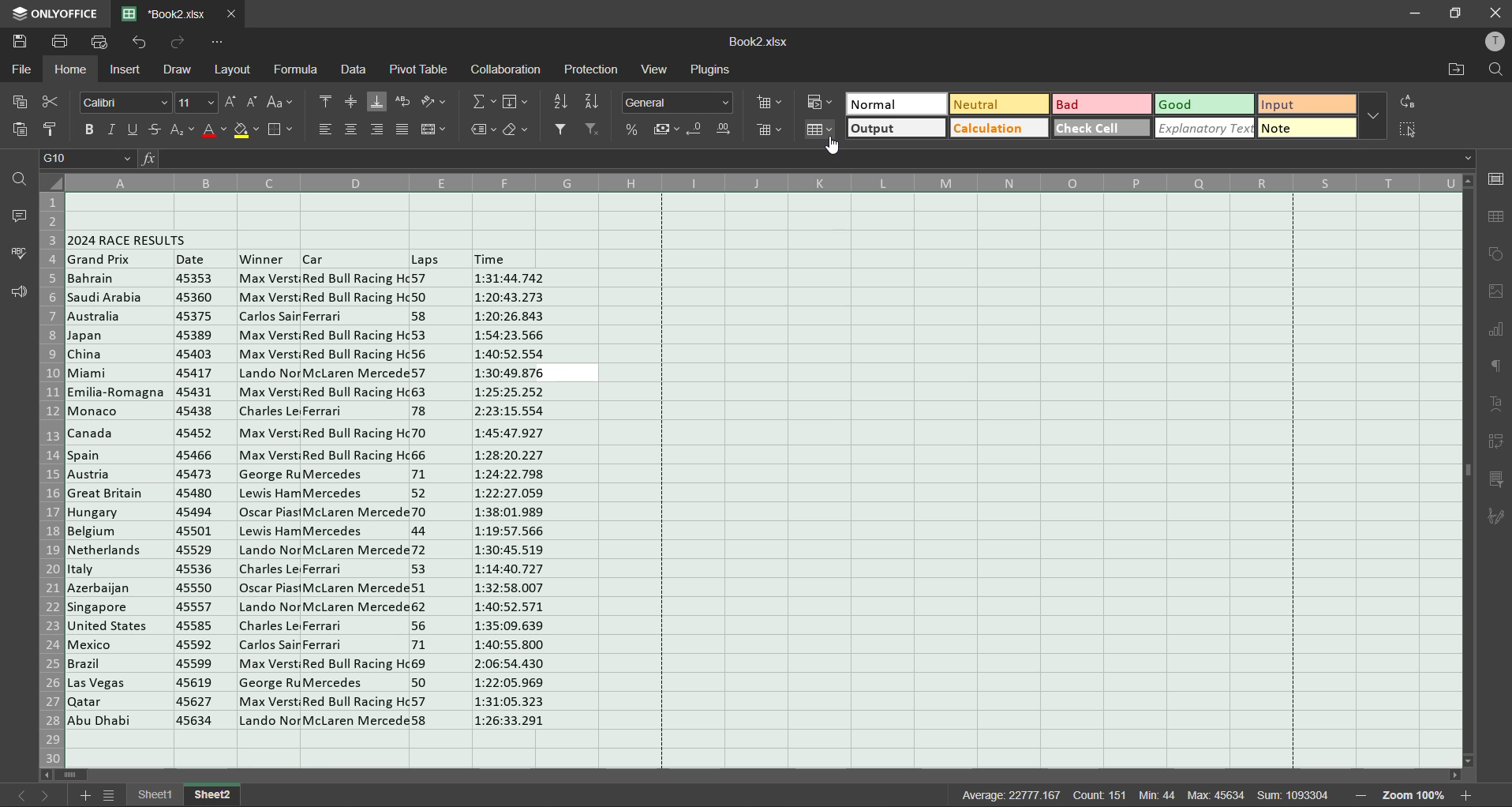 This screenshot has width=1512, height=807. Describe the element at coordinates (110, 796) in the screenshot. I see `sheet list` at that location.